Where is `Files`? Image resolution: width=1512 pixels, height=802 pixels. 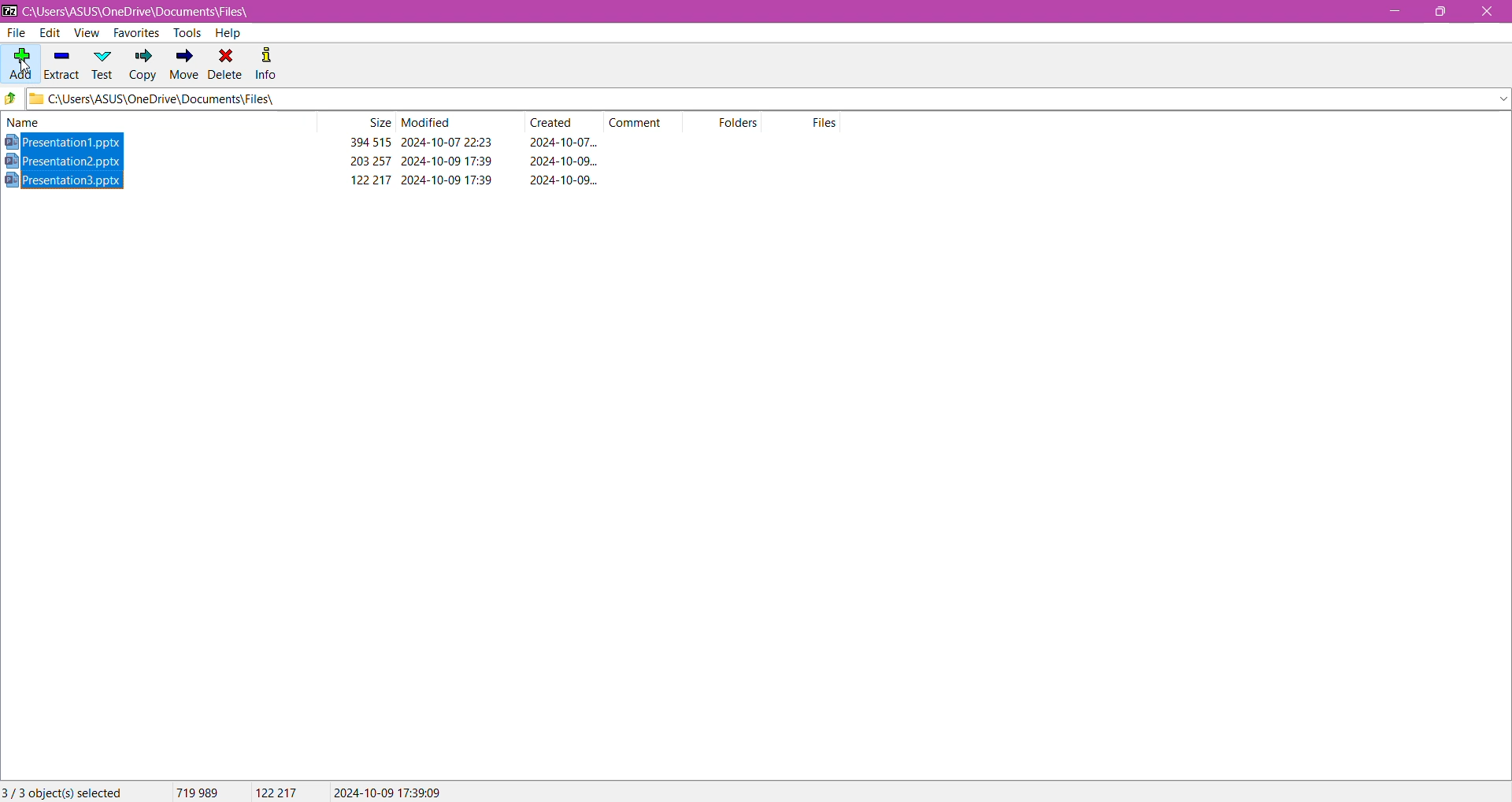 Files is located at coordinates (827, 122).